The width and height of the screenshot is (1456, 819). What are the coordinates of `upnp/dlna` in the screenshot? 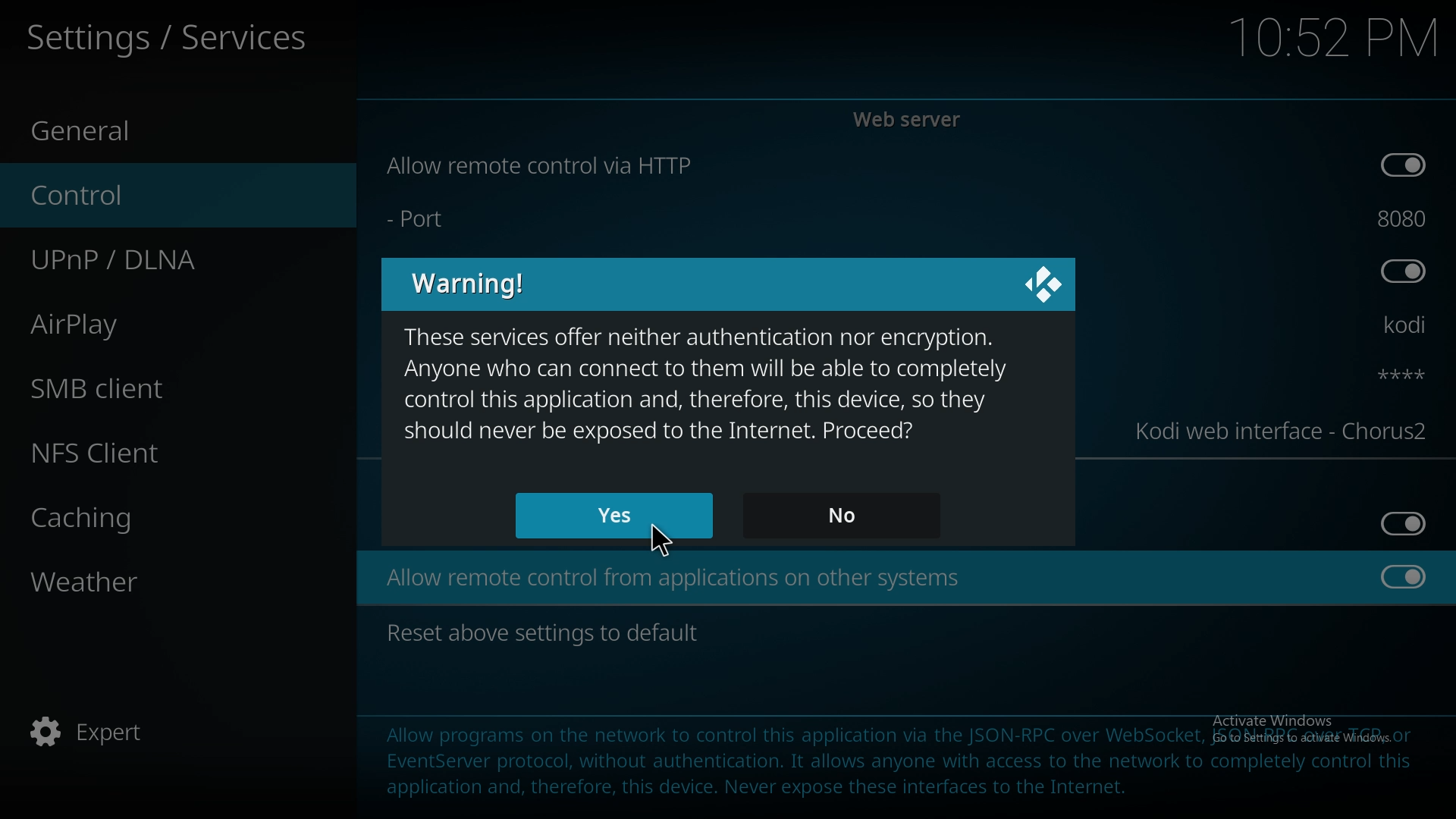 It's located at (162, 260).